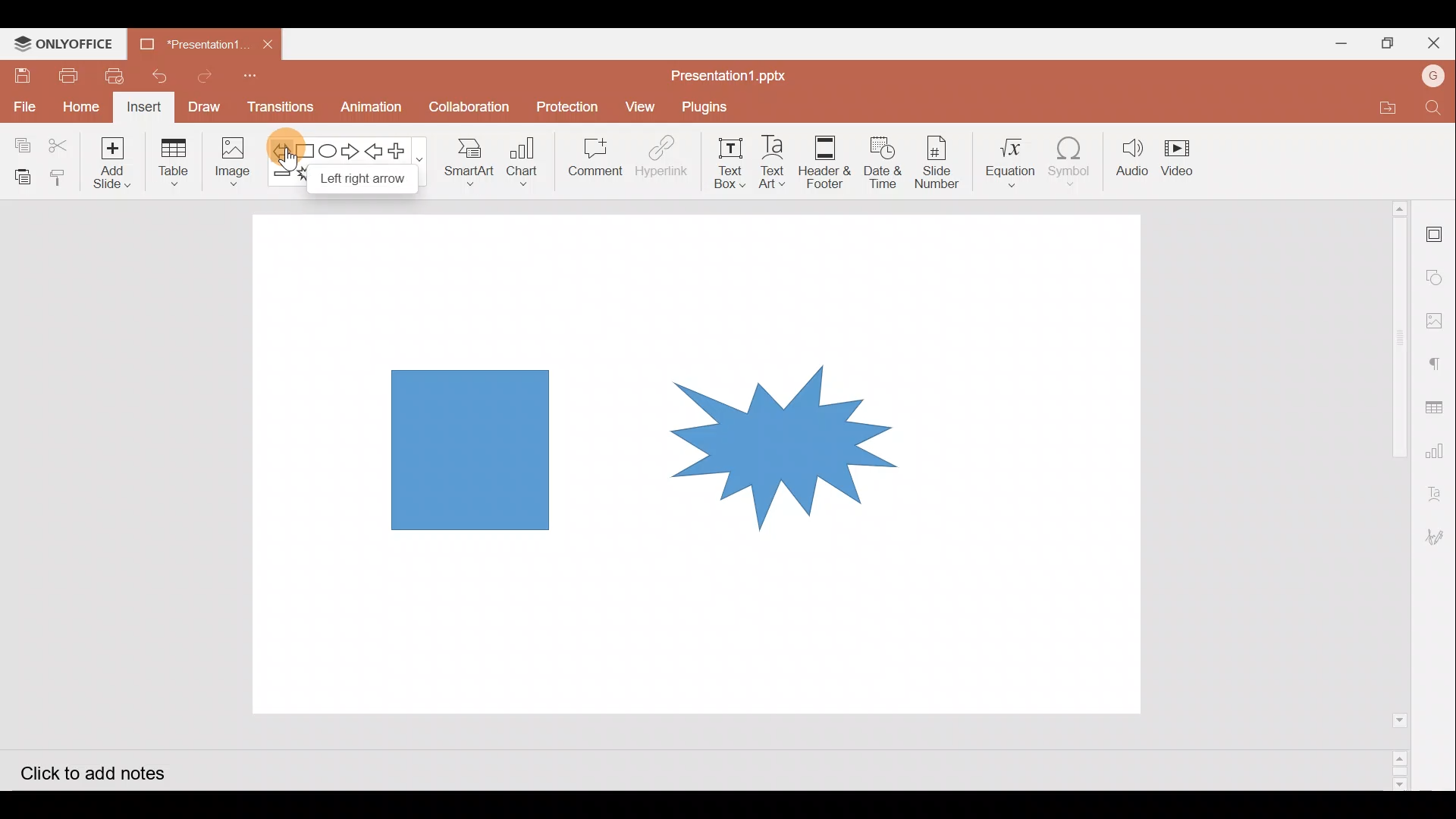  What do you see at coordinates (277, 148) in the screenshot?
I see `Left right arrow` at bounding box center [277, 148].